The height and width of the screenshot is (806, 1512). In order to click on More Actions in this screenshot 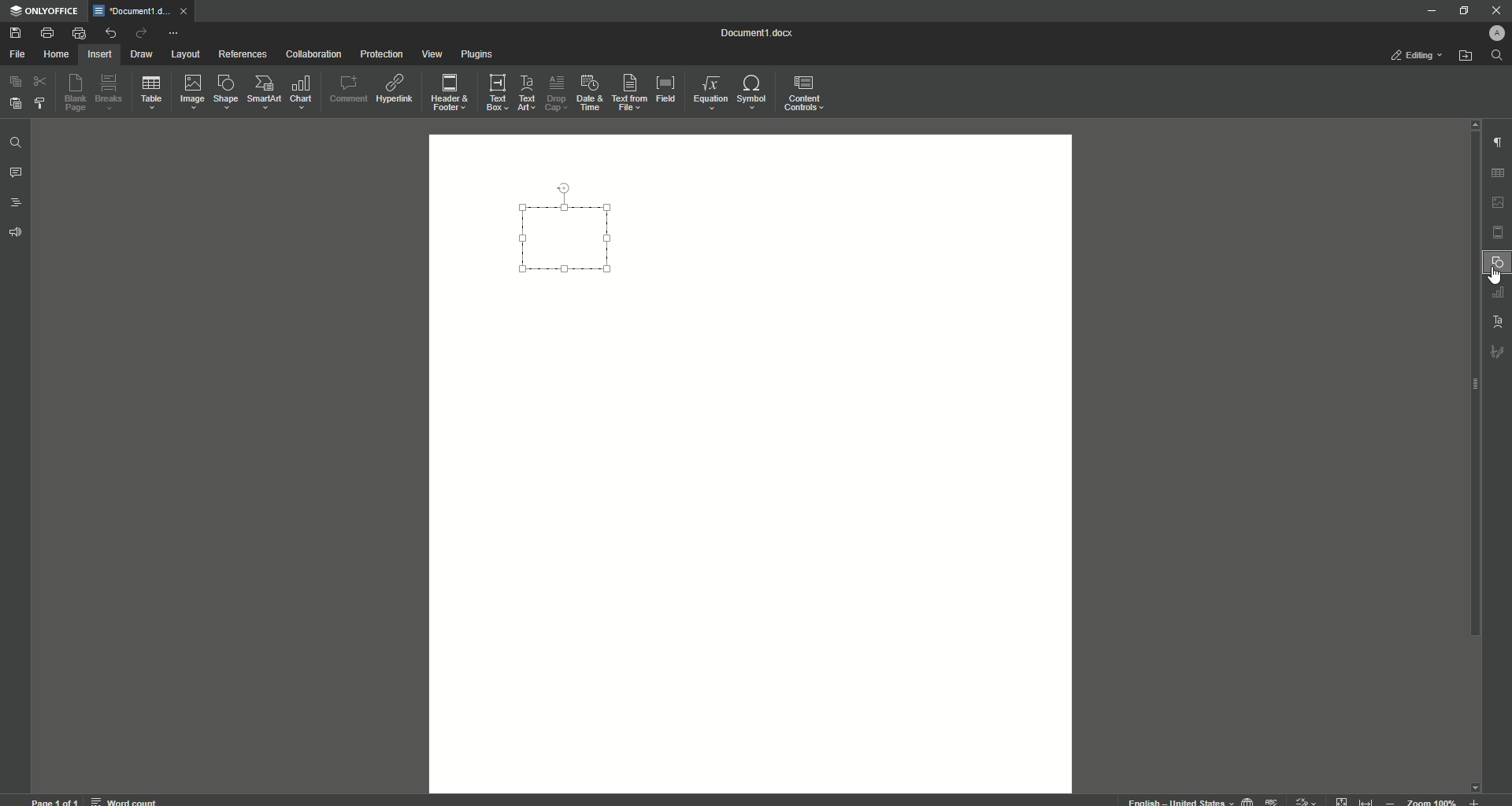, I will do `click(172, 35)`.